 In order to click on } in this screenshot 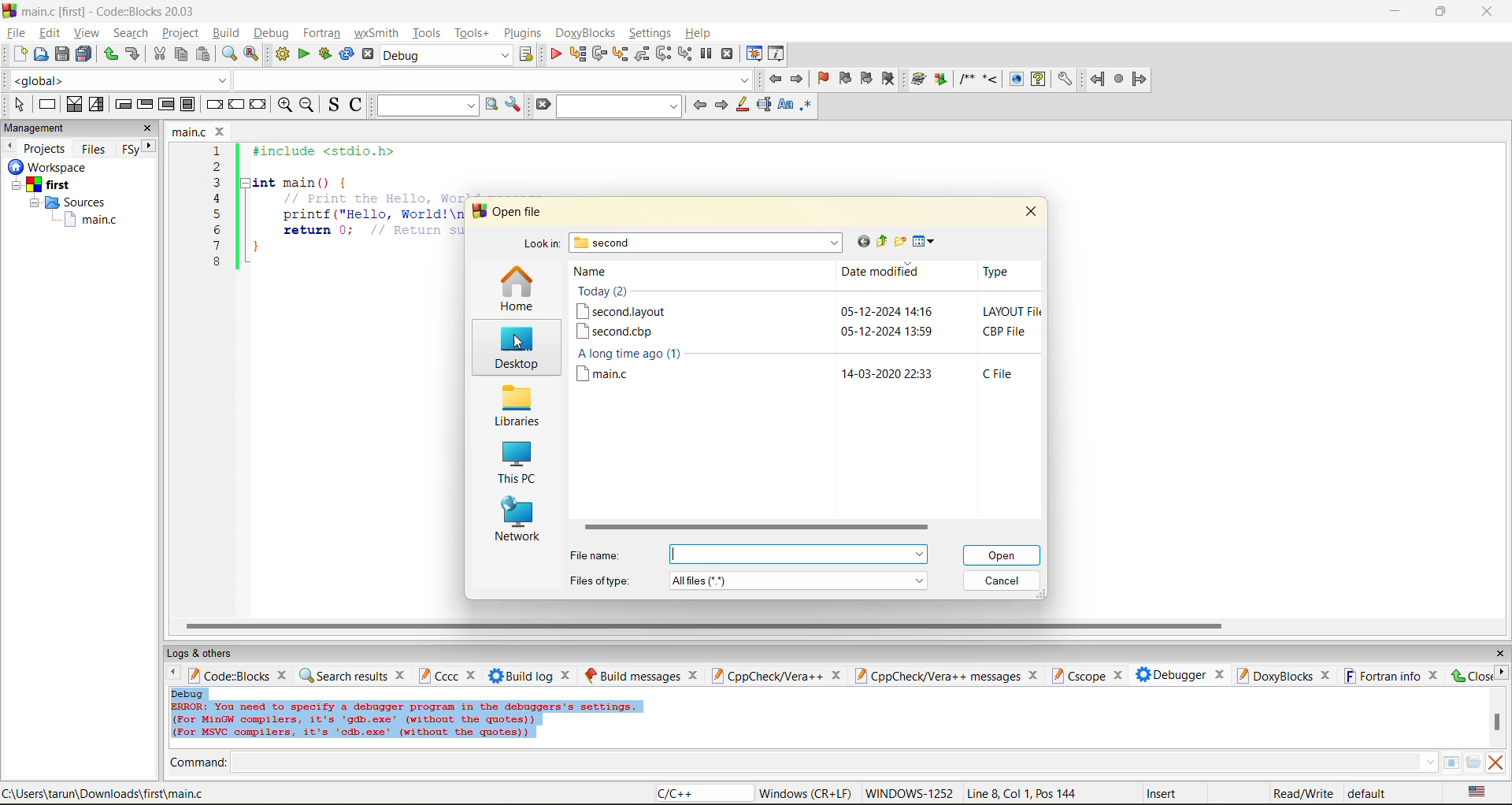, I will do `click(256, 249)`.